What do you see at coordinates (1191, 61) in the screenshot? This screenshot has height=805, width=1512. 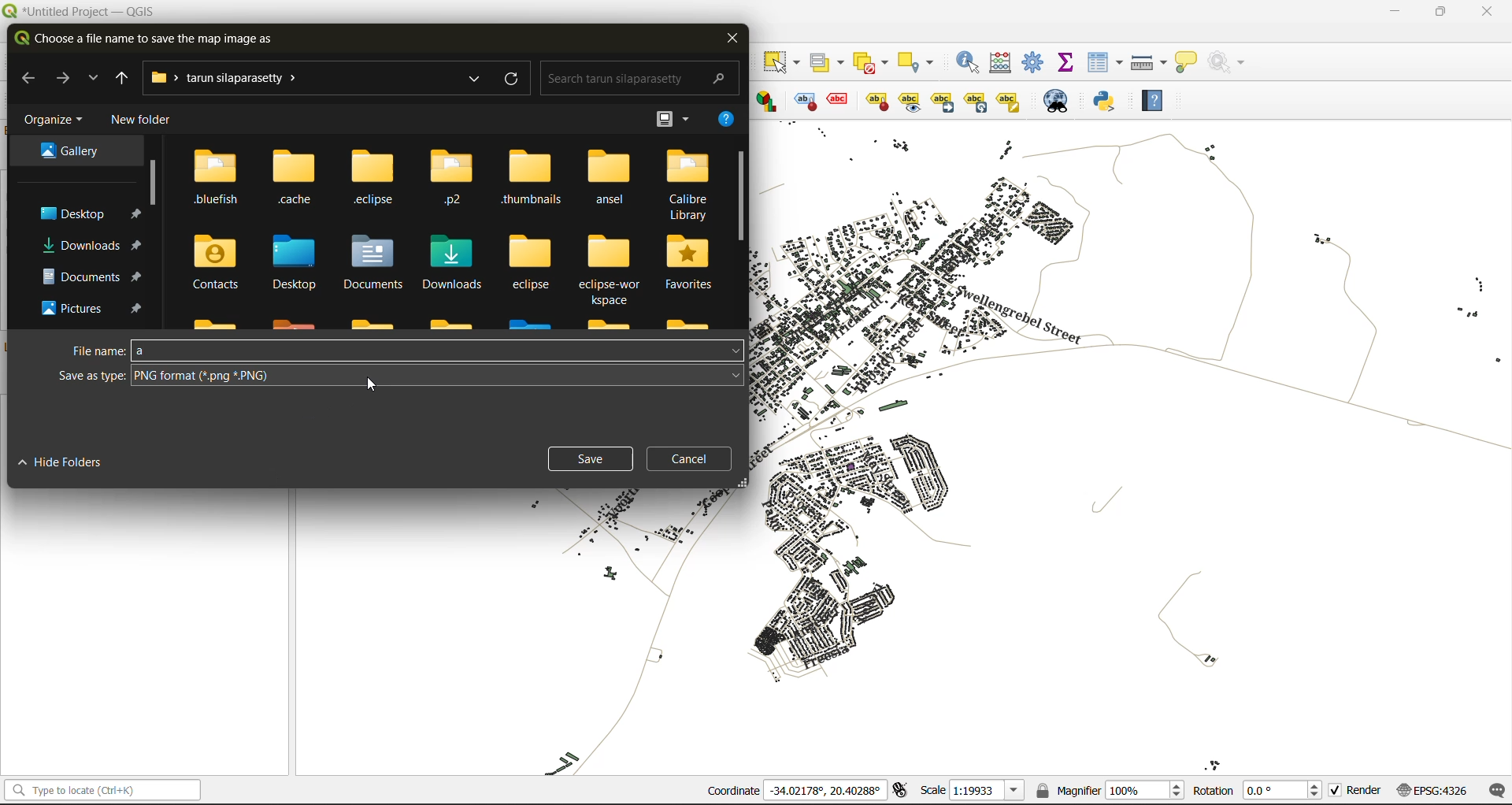 I see `show tips` at bounding box center [1191, 61].